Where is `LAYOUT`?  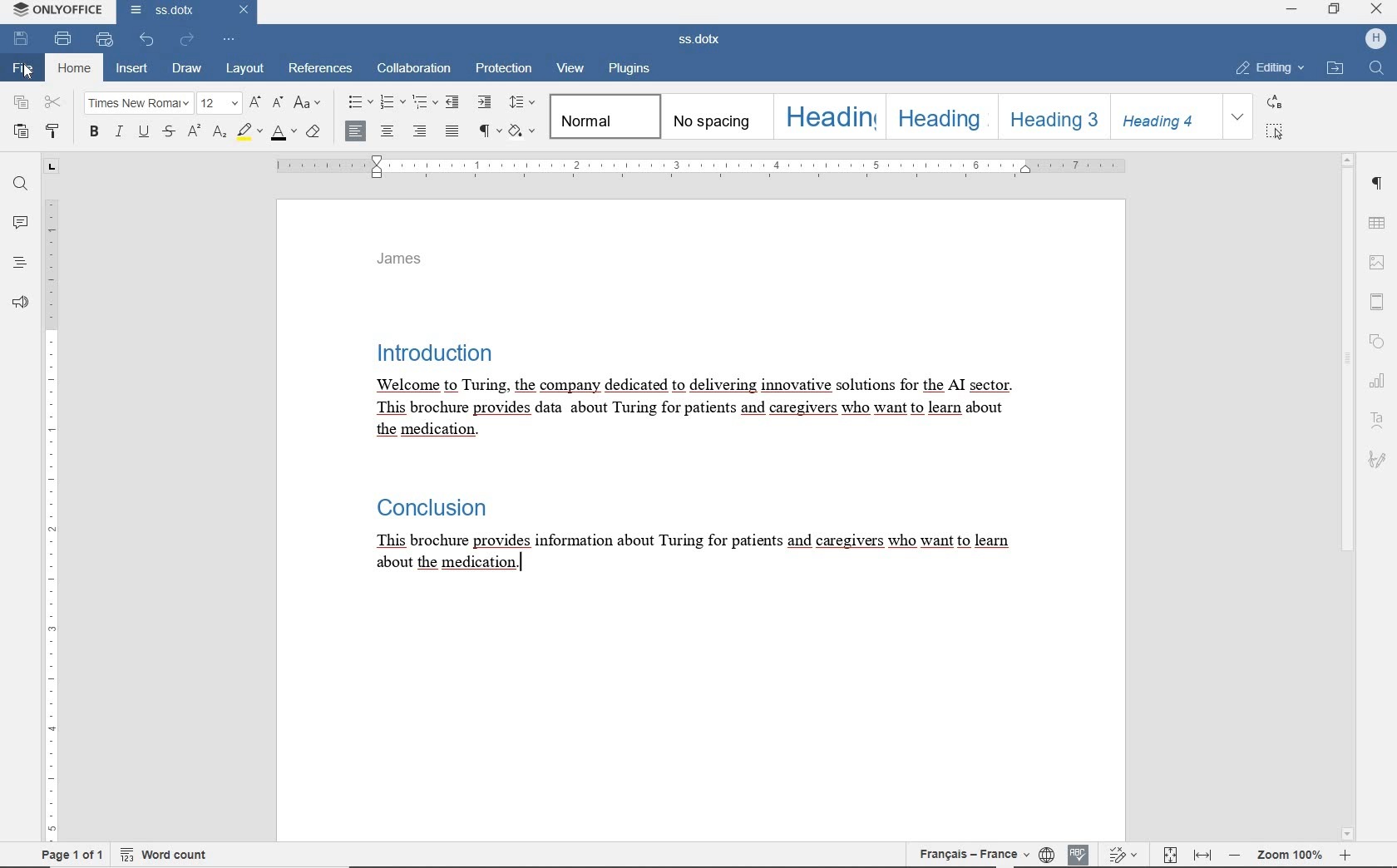
LAYOUT is located at coordinates (246, 68).